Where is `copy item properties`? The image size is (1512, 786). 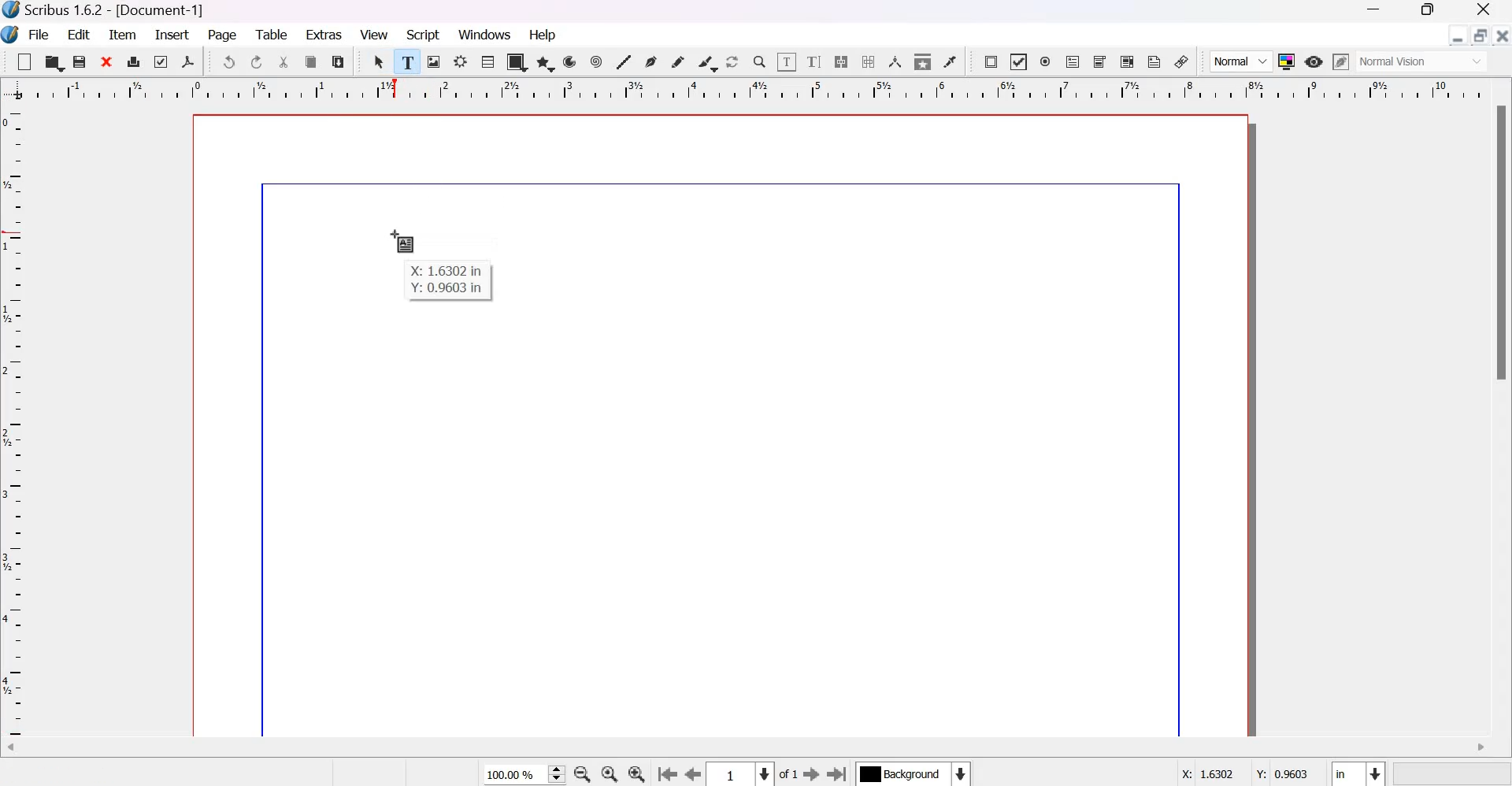
copy item properties is located at coordinates (923, 61).